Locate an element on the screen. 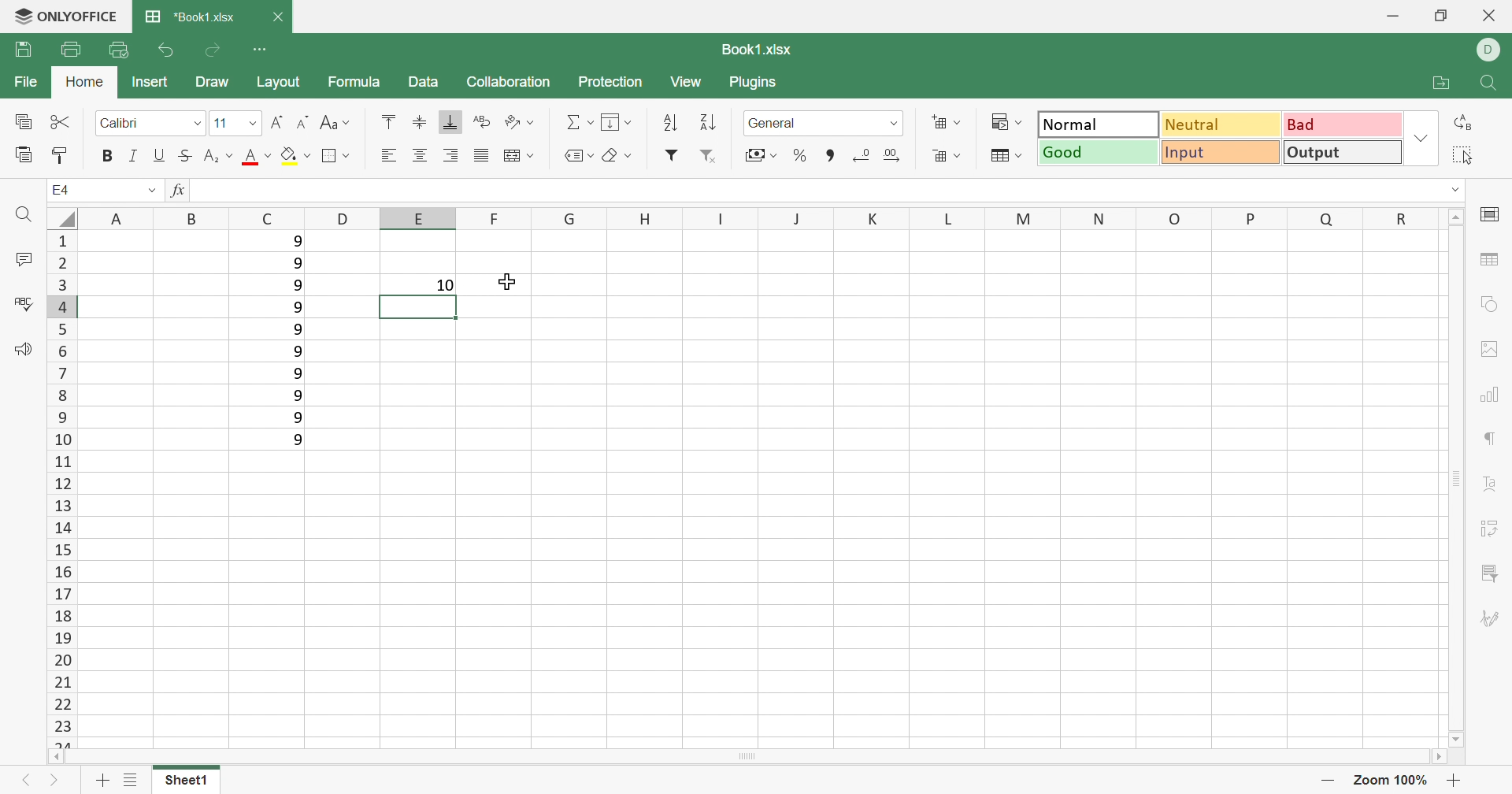  Paragraph settings is located at coordinates (1492, 441).